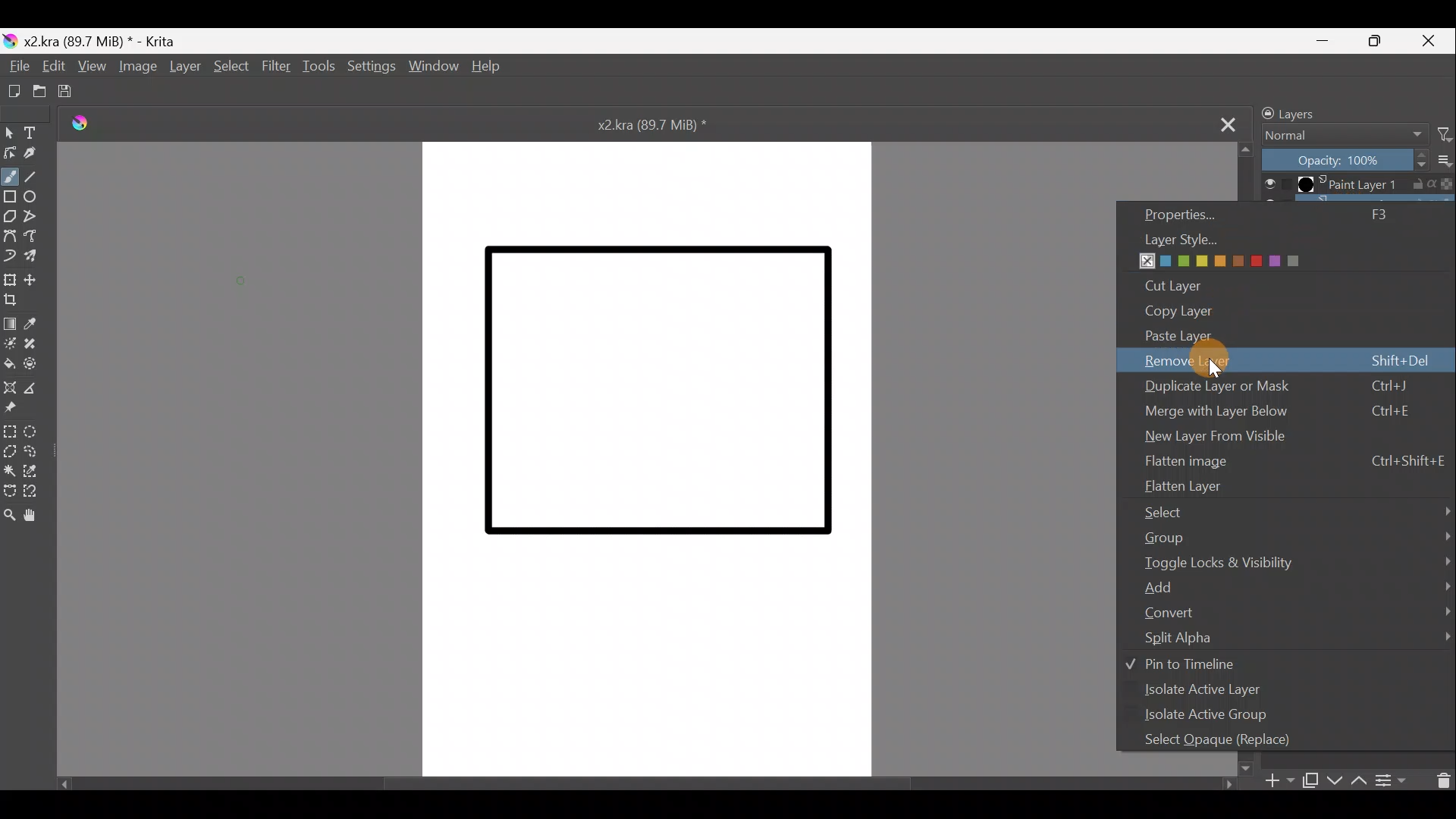 The height and width of the screenshot is (819, 1456). I want to click on Draw a gradient, so click(11, 323).